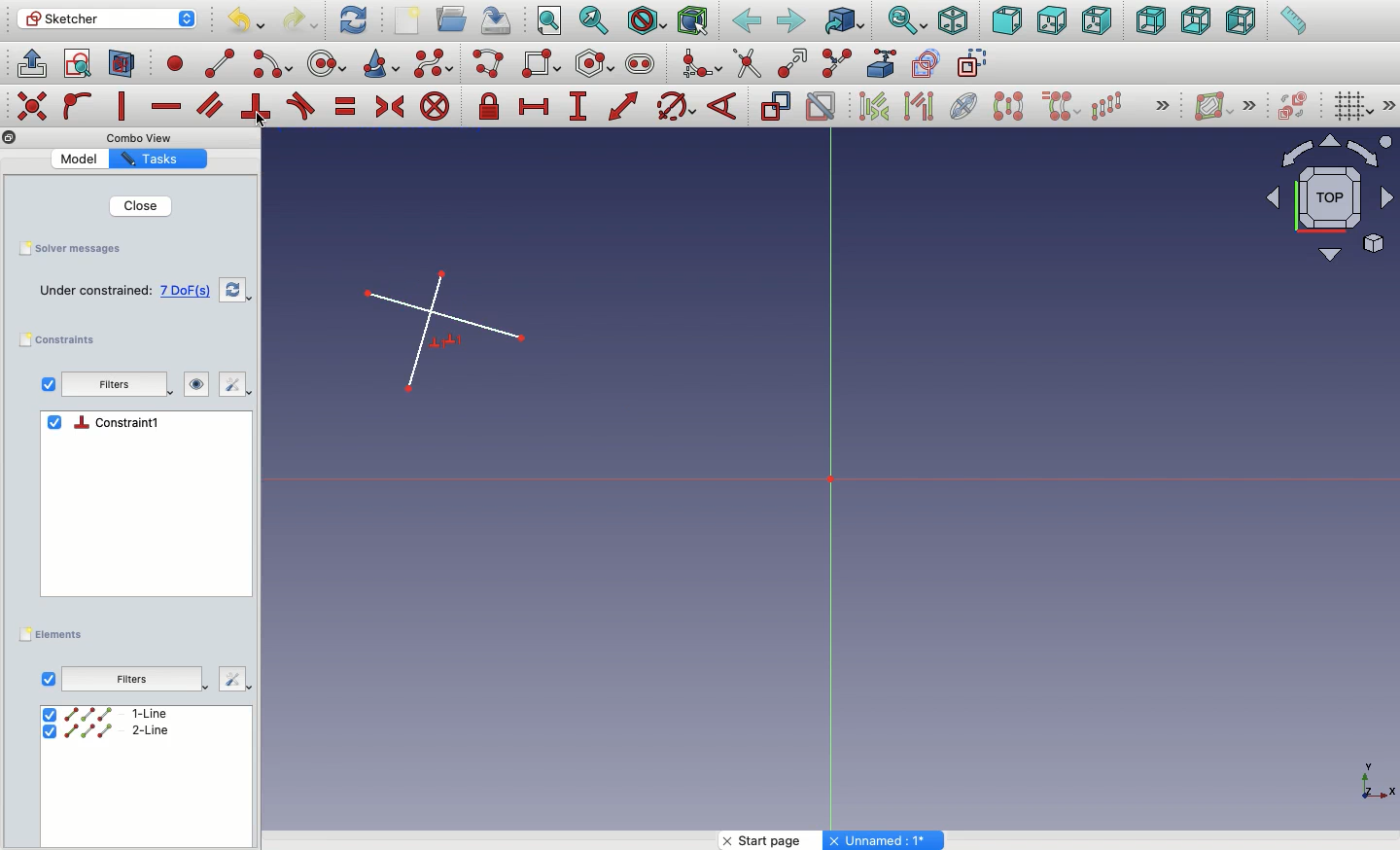 This screenshot has width=1400, height=850. Describe the element at coordinates (9, 138) in the screenshot. I see `` at that location.